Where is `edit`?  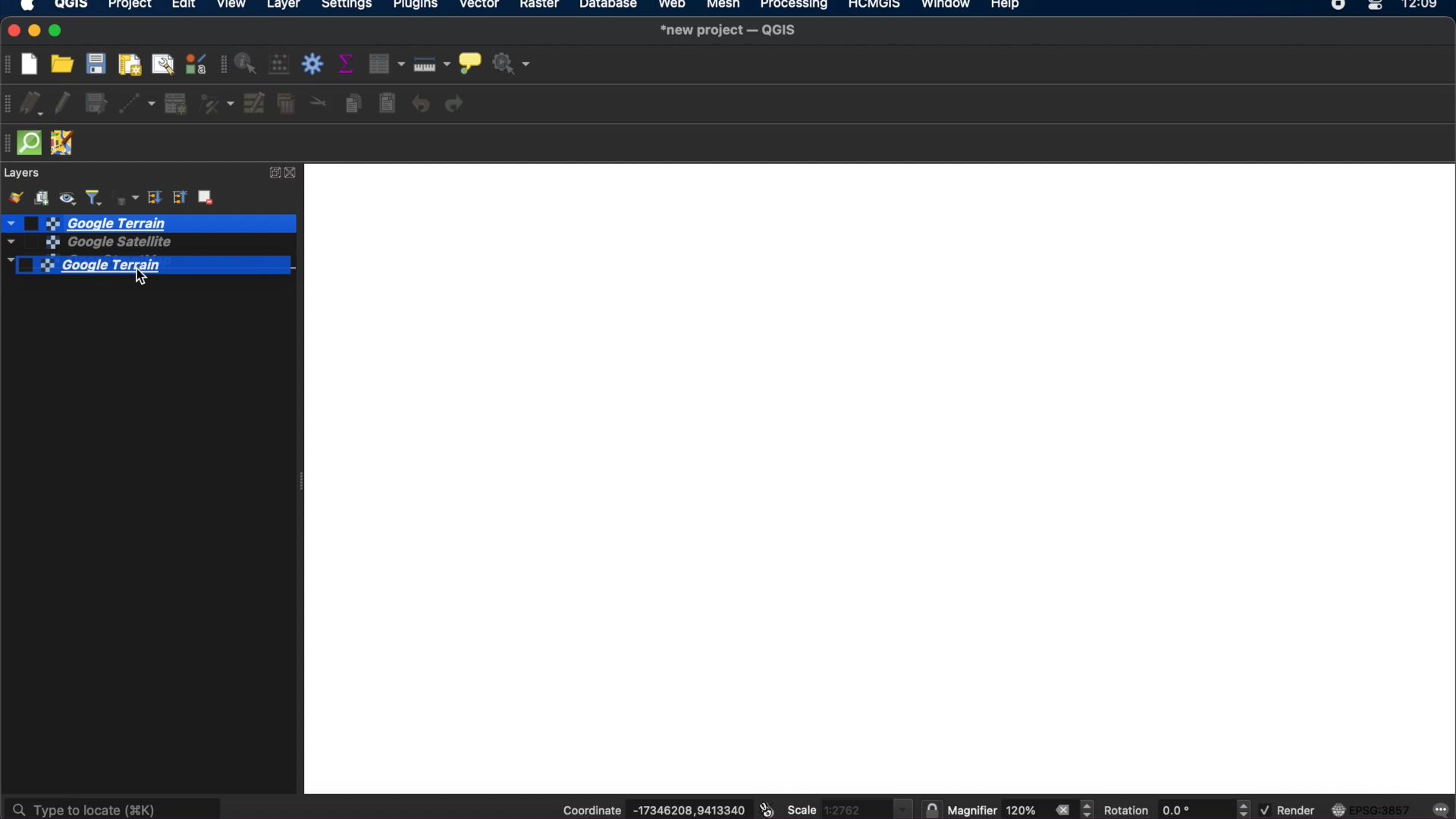 edit is located at coordinates (183, 7).